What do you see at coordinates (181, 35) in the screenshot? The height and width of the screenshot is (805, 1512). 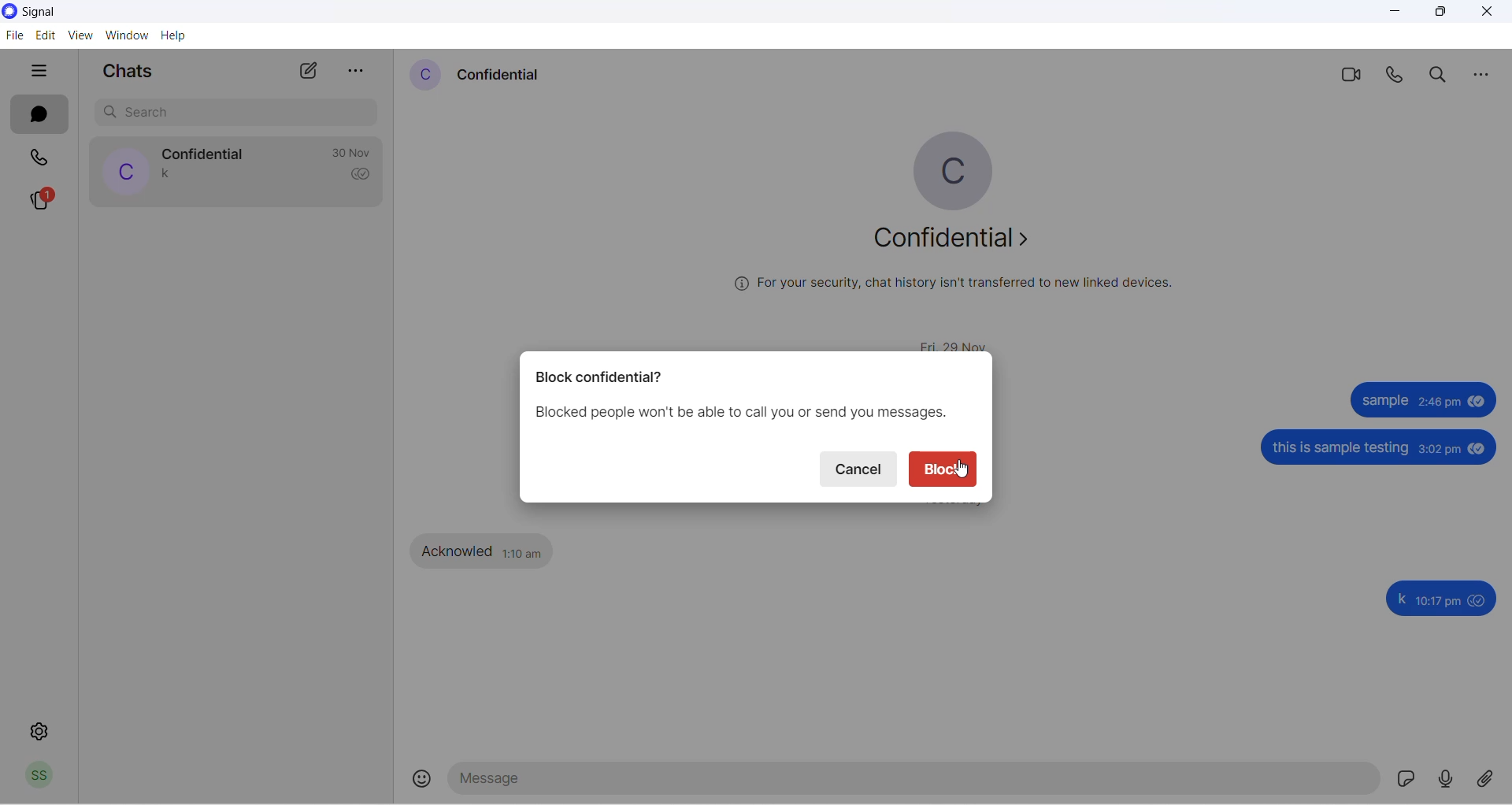 I see `help` at bounding box center [181, 35].